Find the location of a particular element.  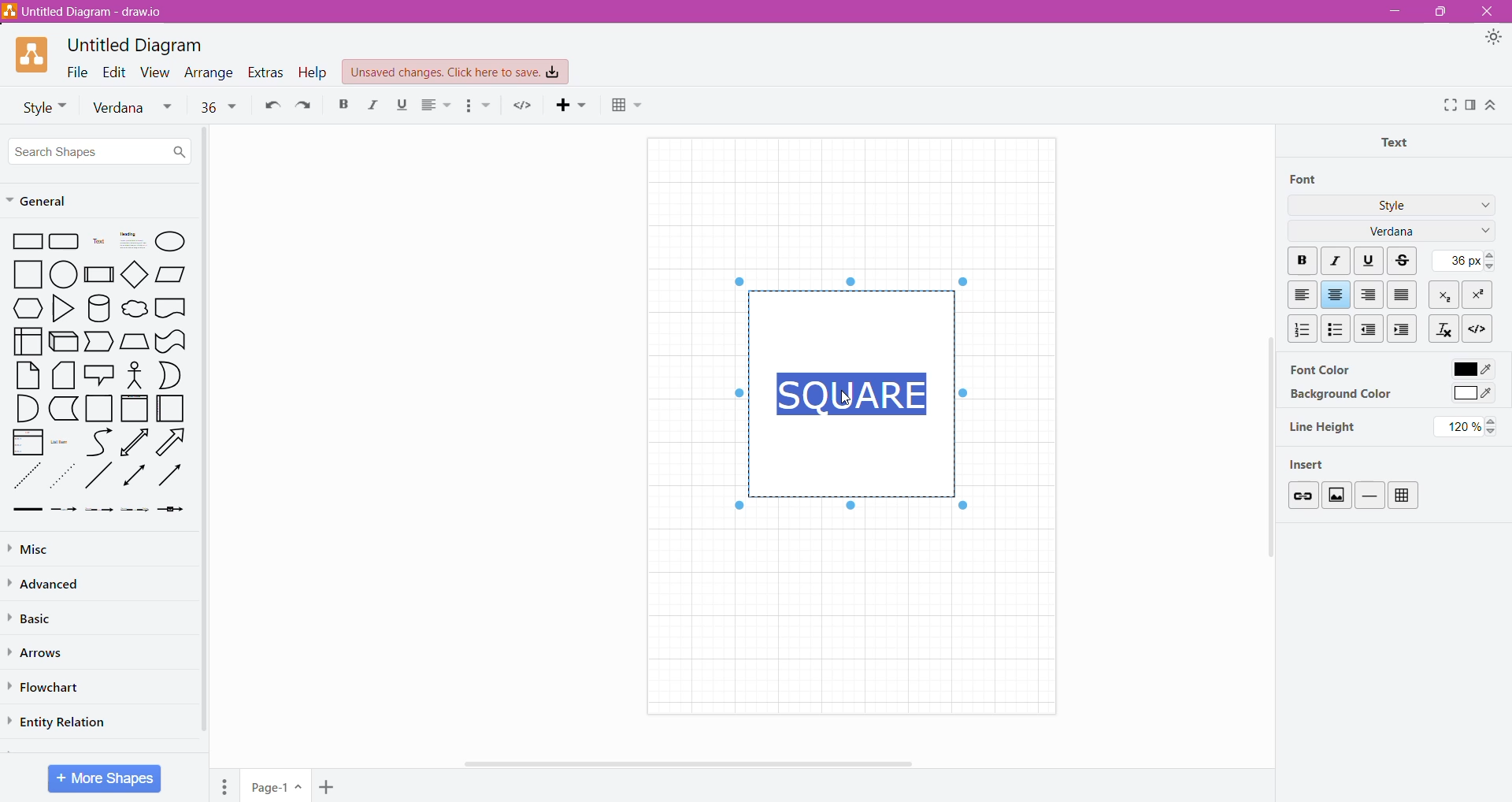

Table is located at coordinates (633, 106).